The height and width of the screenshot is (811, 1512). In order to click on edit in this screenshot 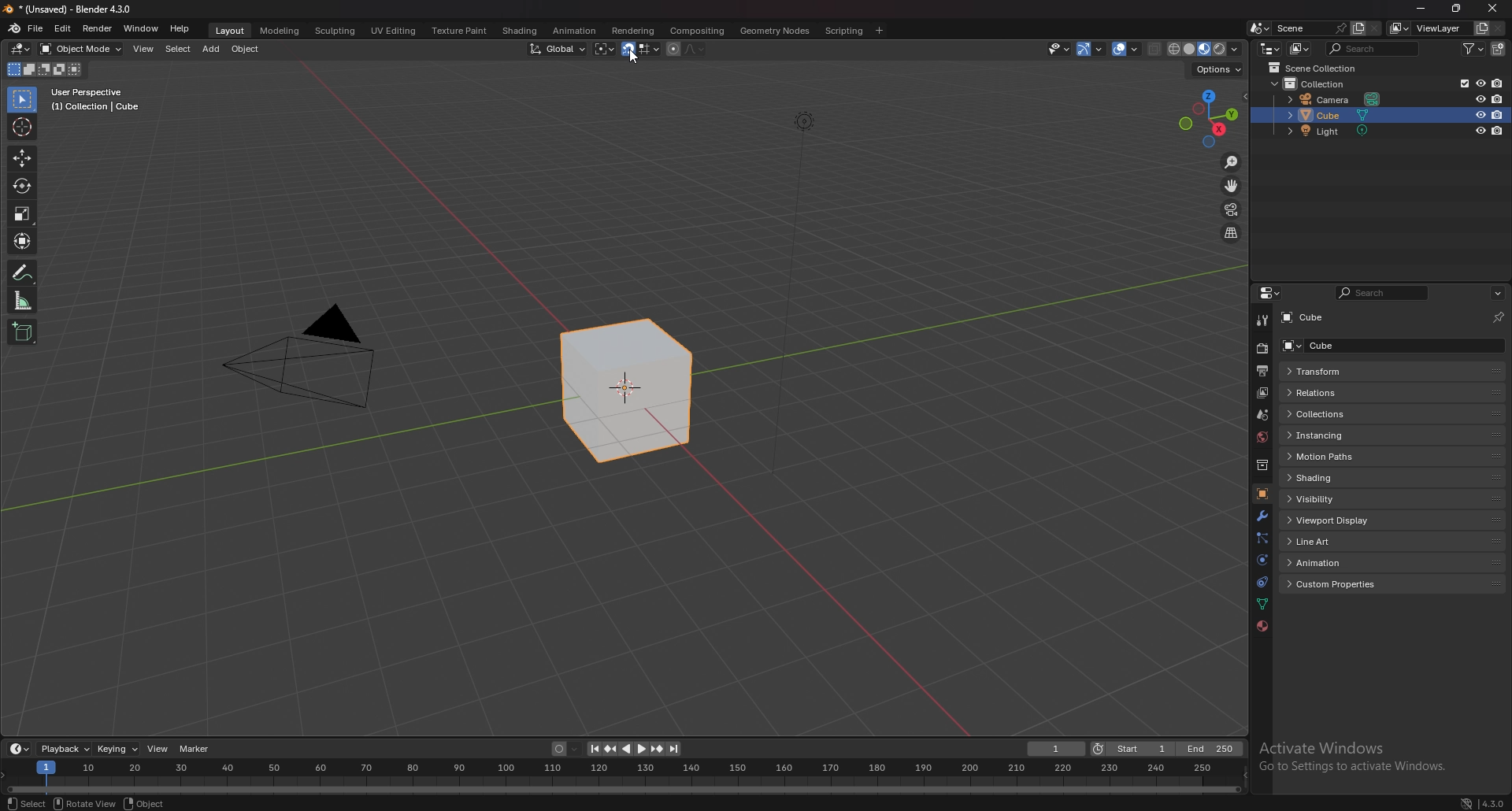, I will do `click(62, 29)`.